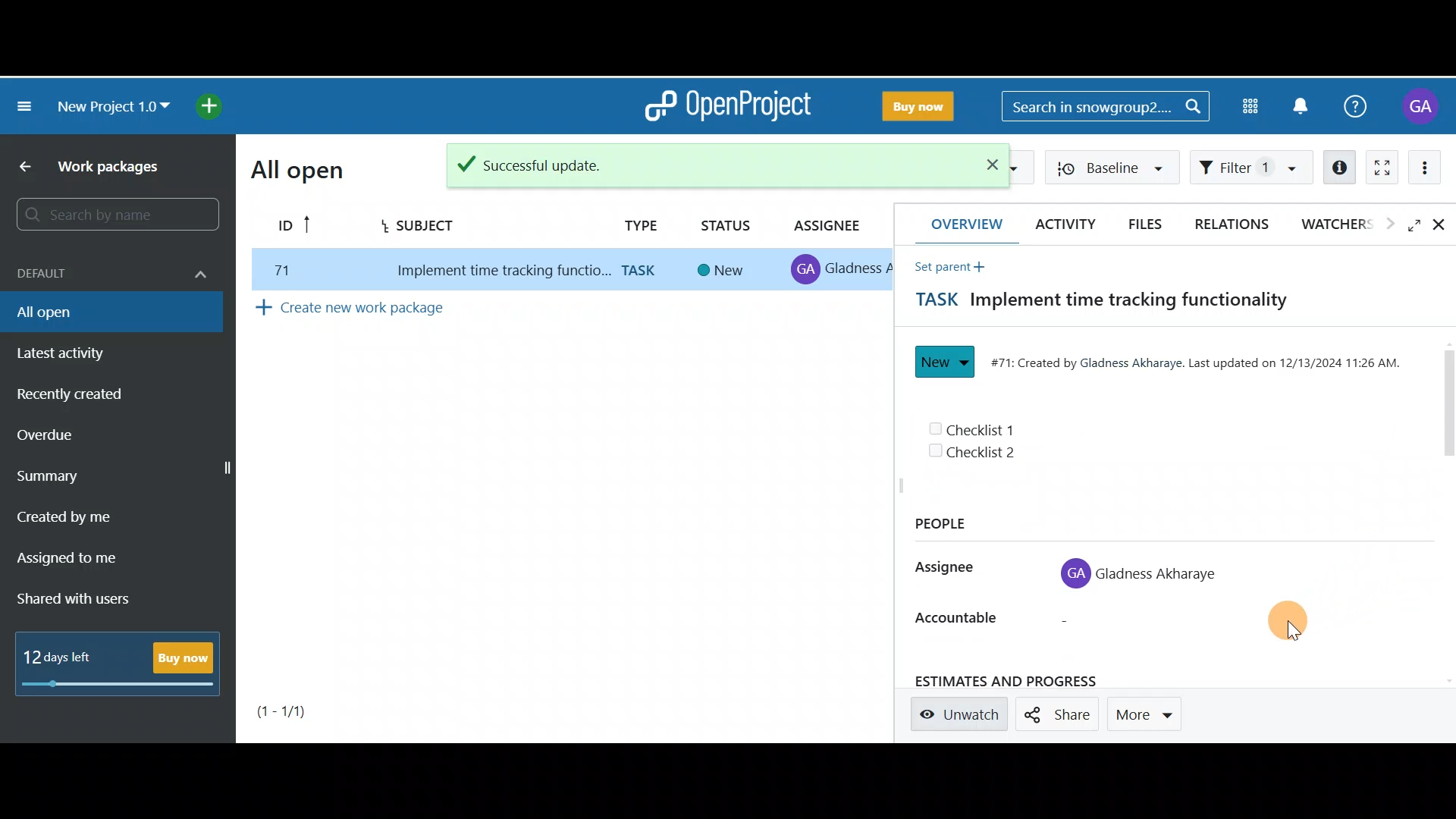  Describe the element at coordinates (85, 511) in the screenshot. I see `Created by me` at that location.